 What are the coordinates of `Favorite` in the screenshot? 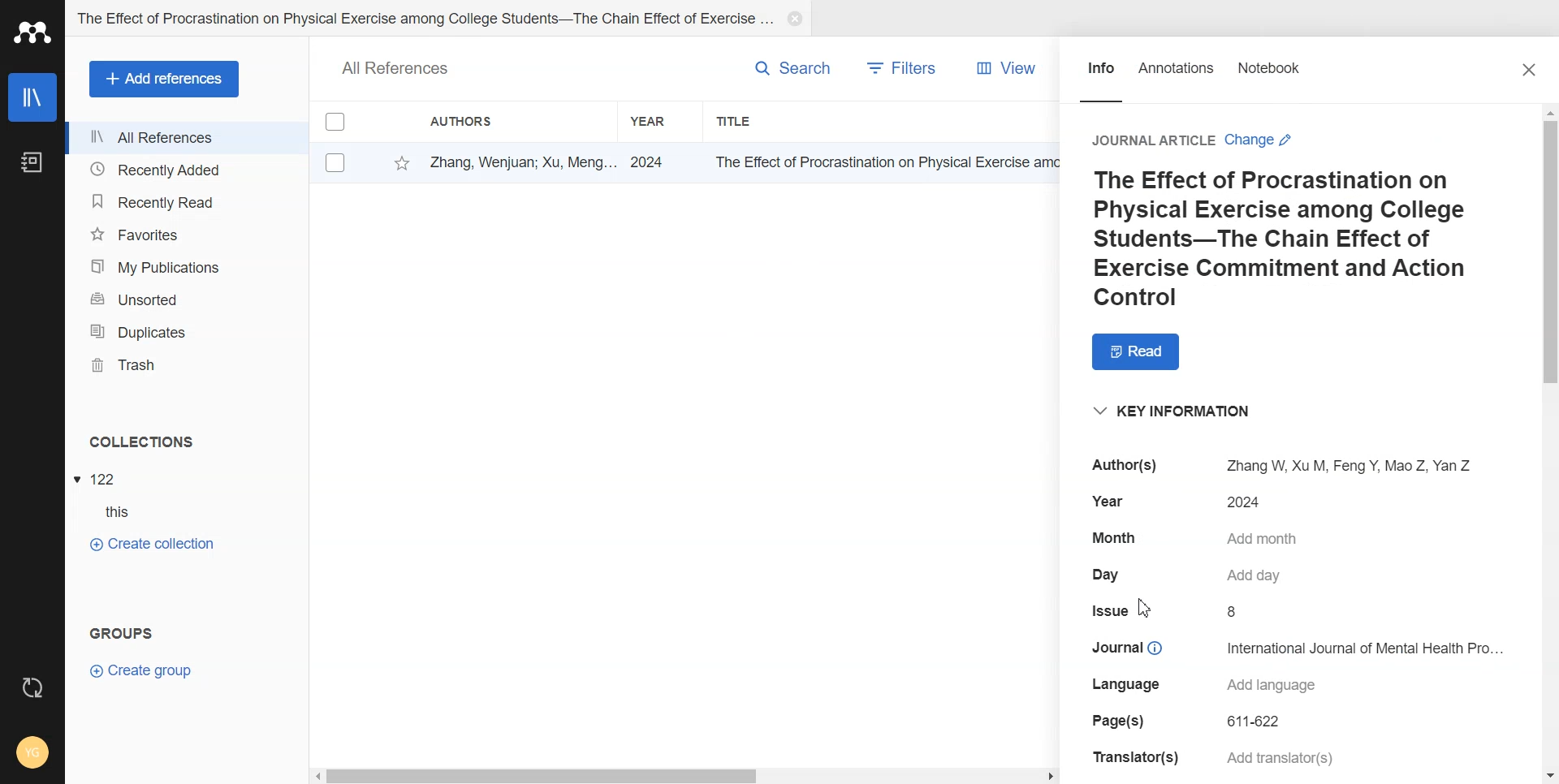 It's located at (399, 163).